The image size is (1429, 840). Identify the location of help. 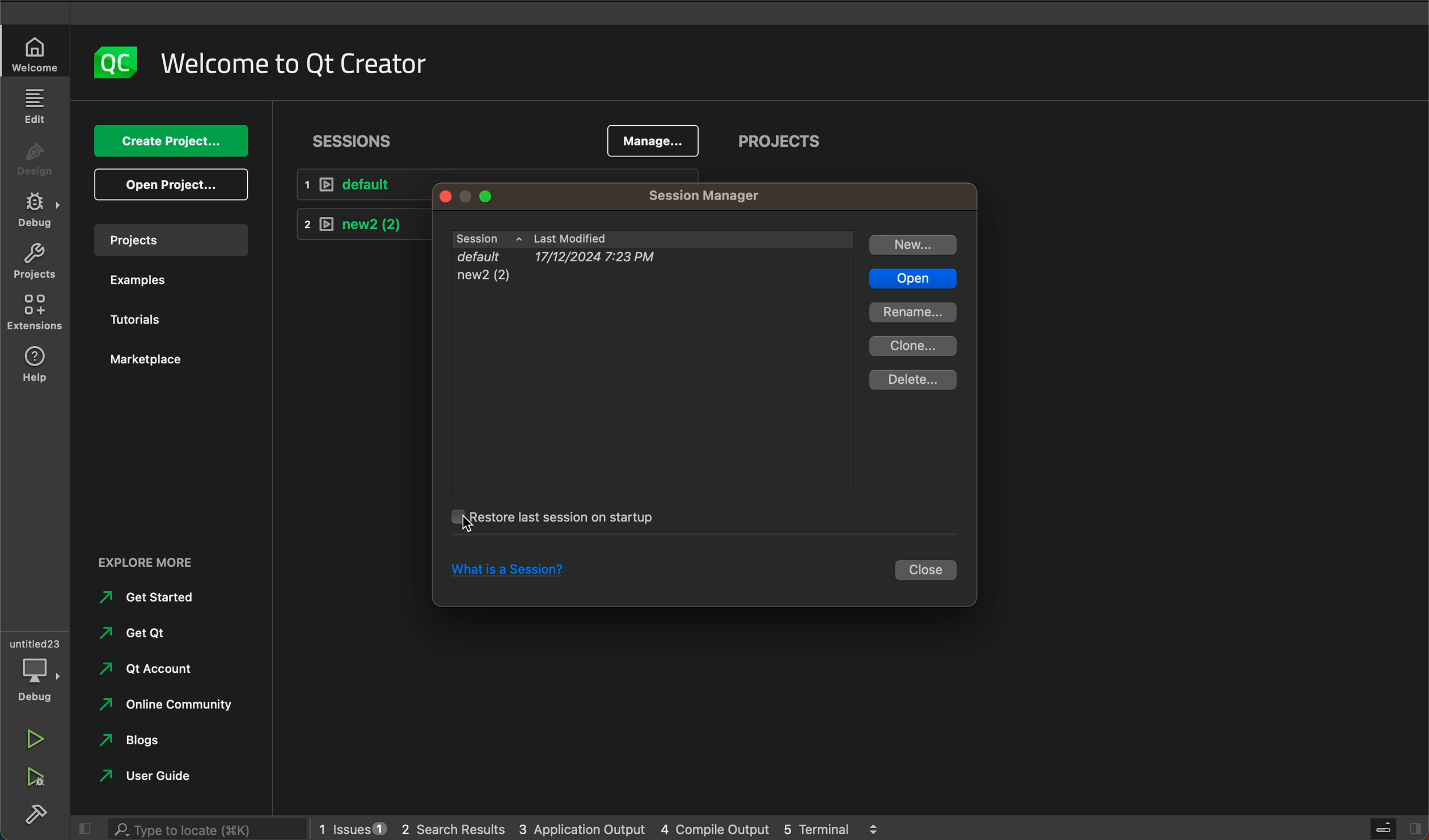
(38, 366).